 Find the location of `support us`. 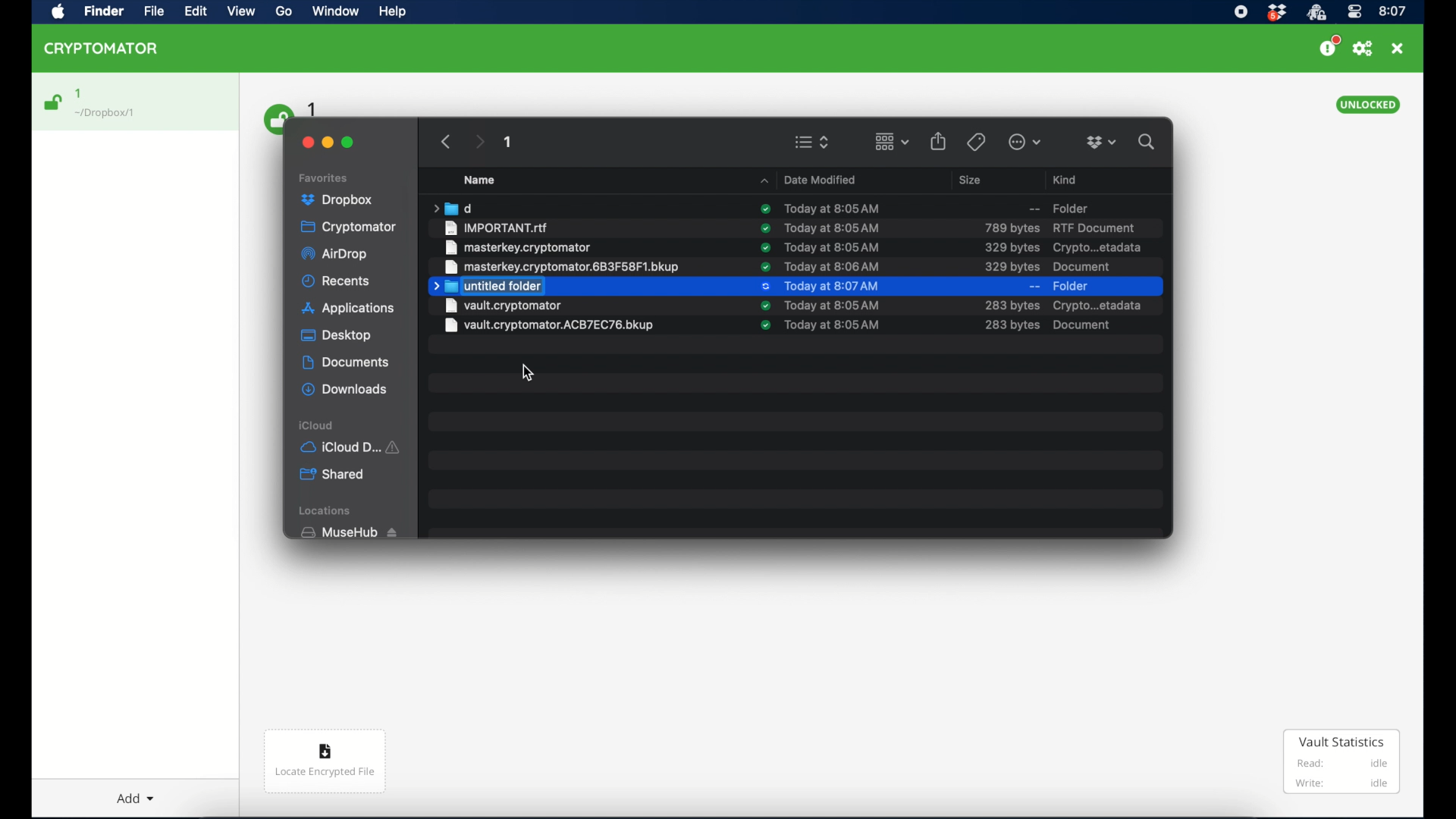

support us is located at coordinates (1329, 46).